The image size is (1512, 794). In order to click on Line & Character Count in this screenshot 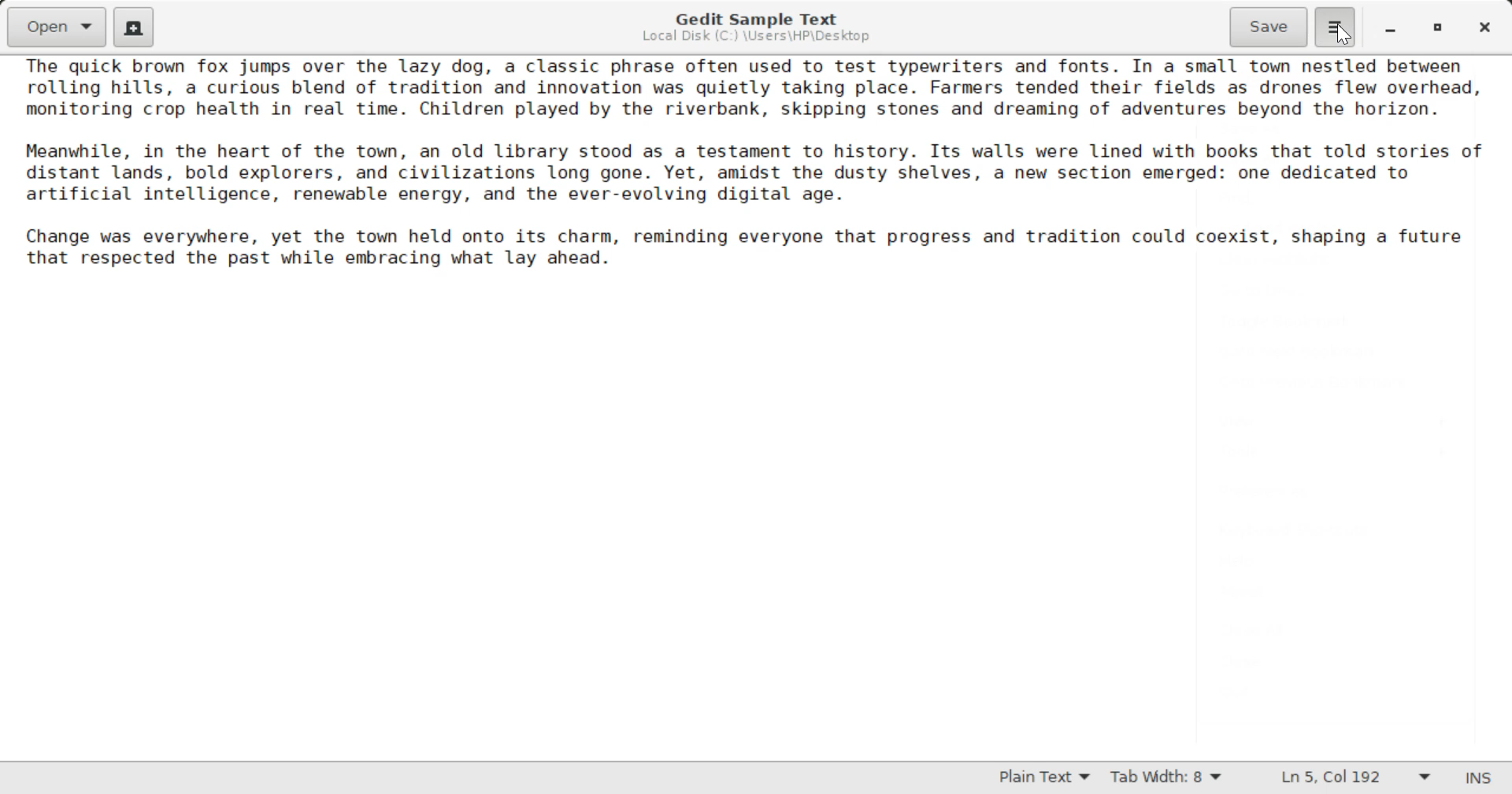, I will do `click(1348, 779)`.